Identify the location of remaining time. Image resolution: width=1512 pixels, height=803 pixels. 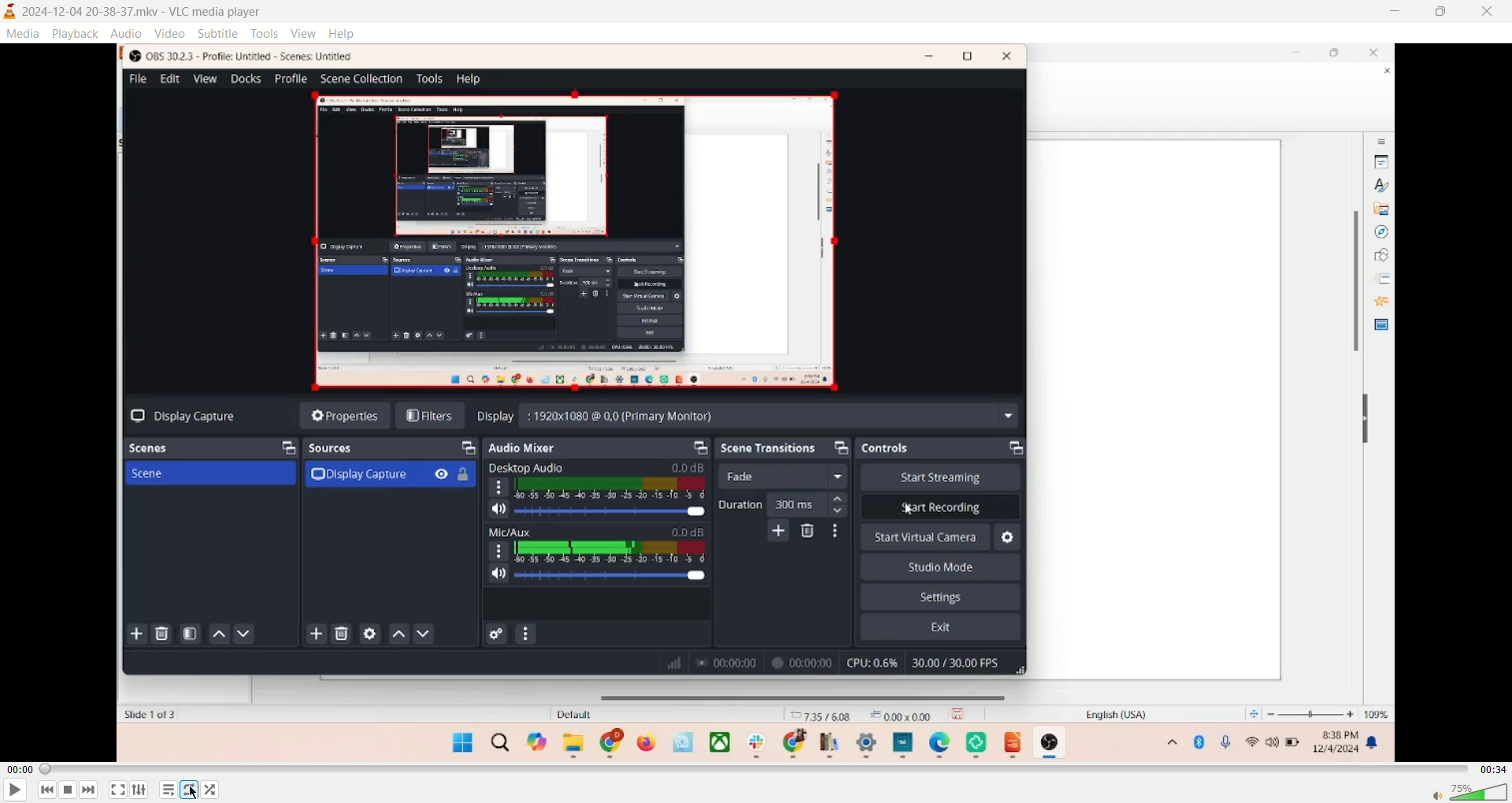
(1492, 768).